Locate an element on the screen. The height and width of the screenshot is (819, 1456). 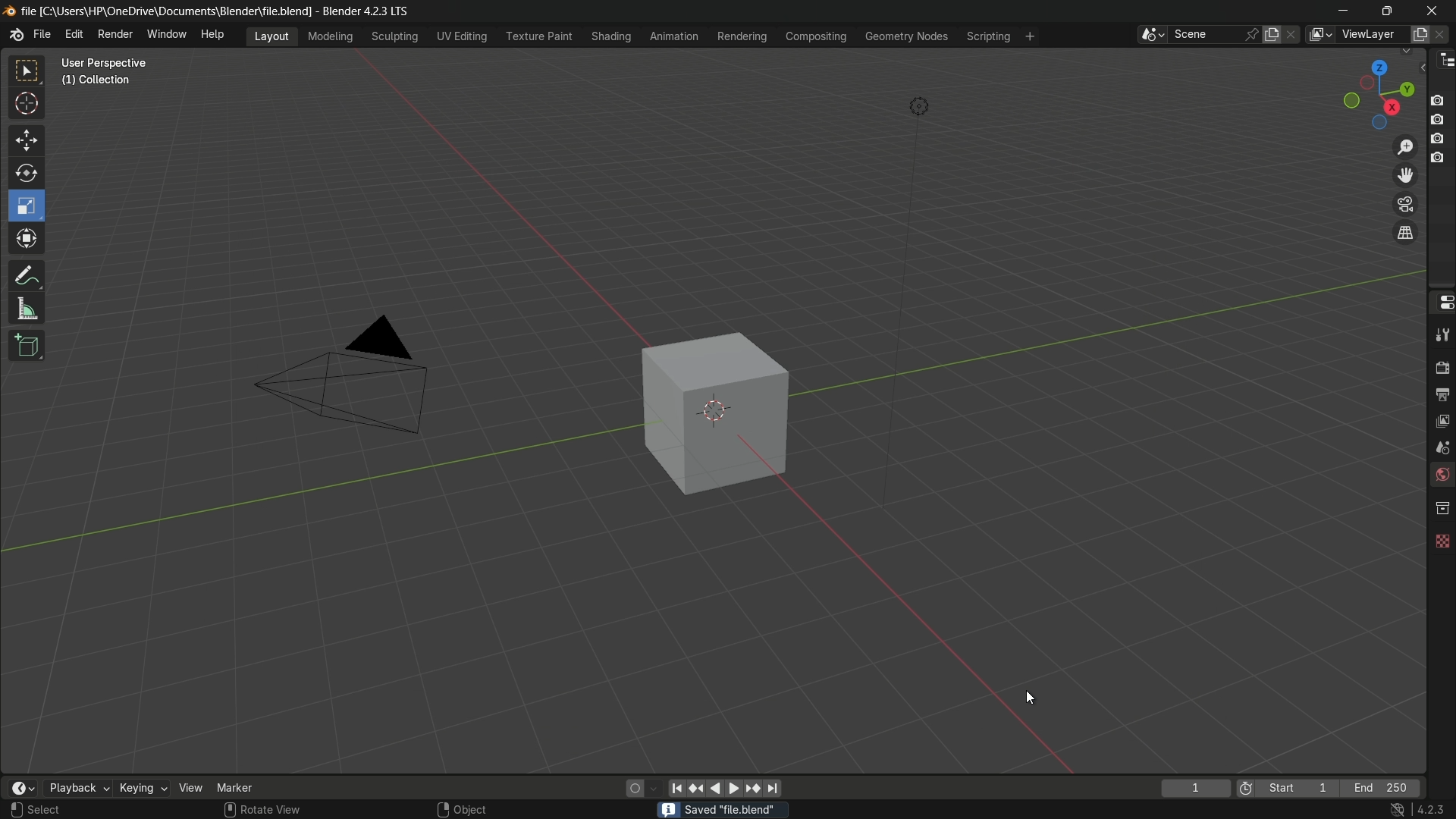
zoom in/out is located at coordinates (1406, 145).